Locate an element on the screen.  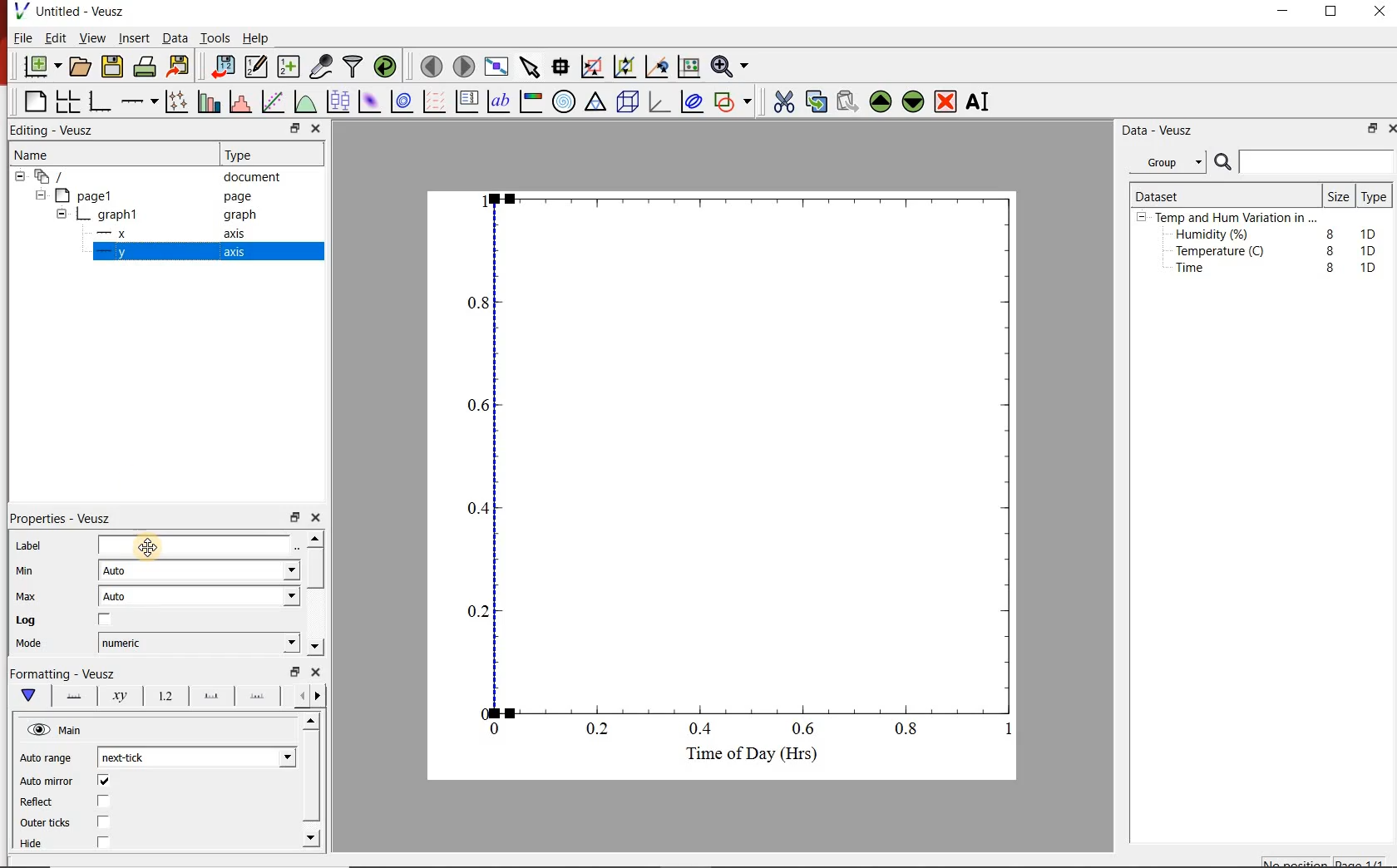
File is located at coordinates (19, 37).